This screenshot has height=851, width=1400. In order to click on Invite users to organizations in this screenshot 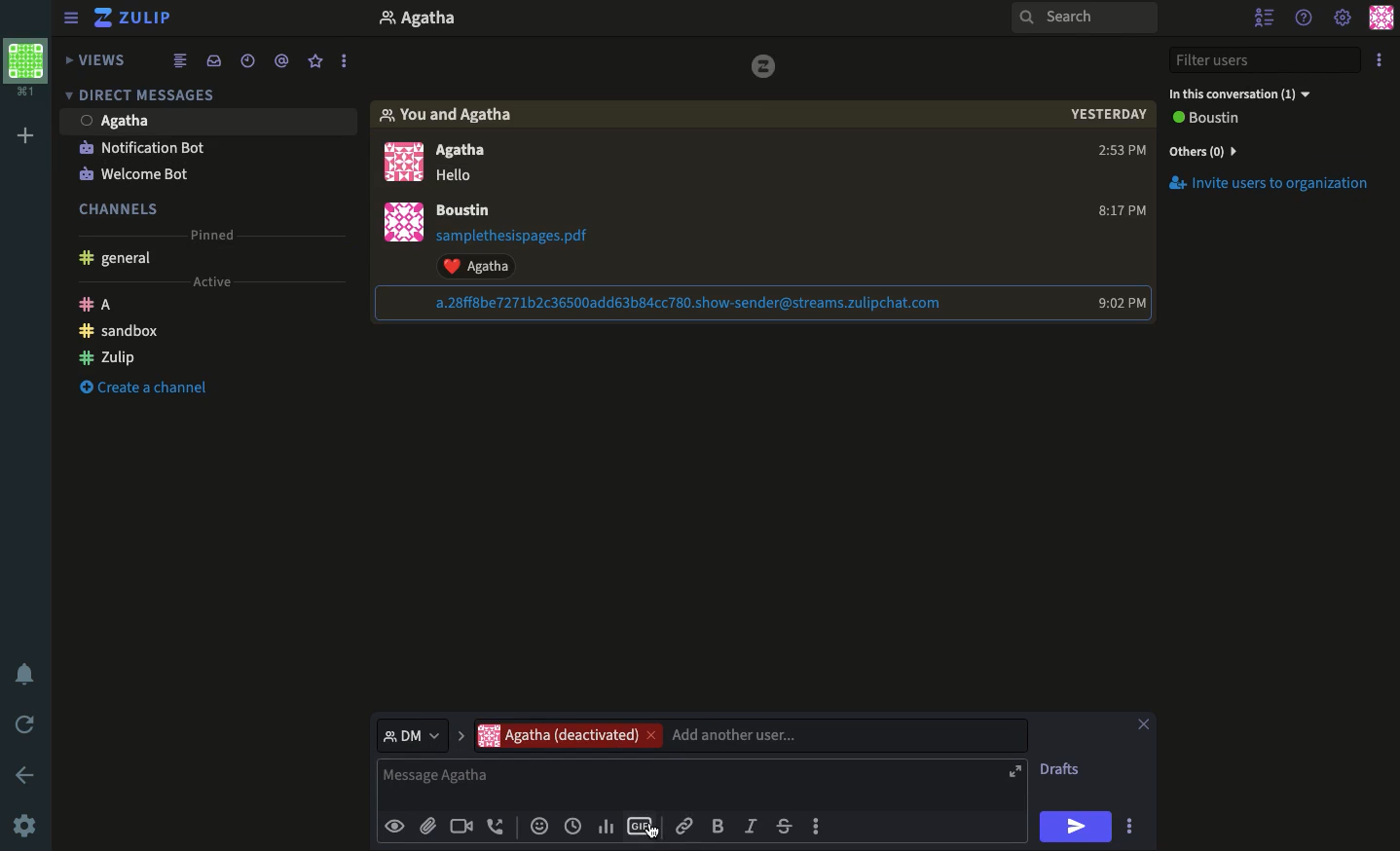, I will do `click(1275, 187)`.